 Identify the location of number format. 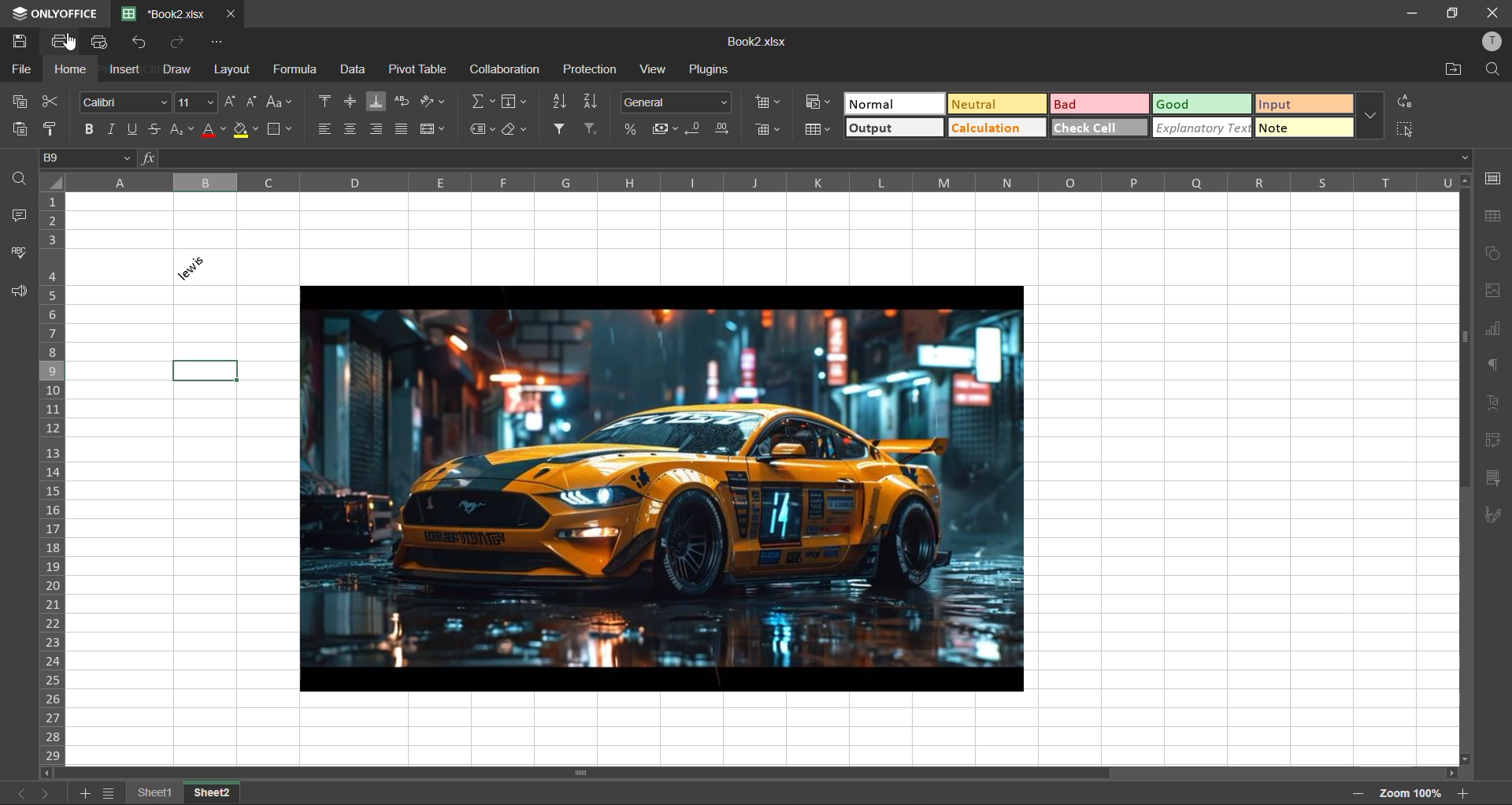
(676, 104).